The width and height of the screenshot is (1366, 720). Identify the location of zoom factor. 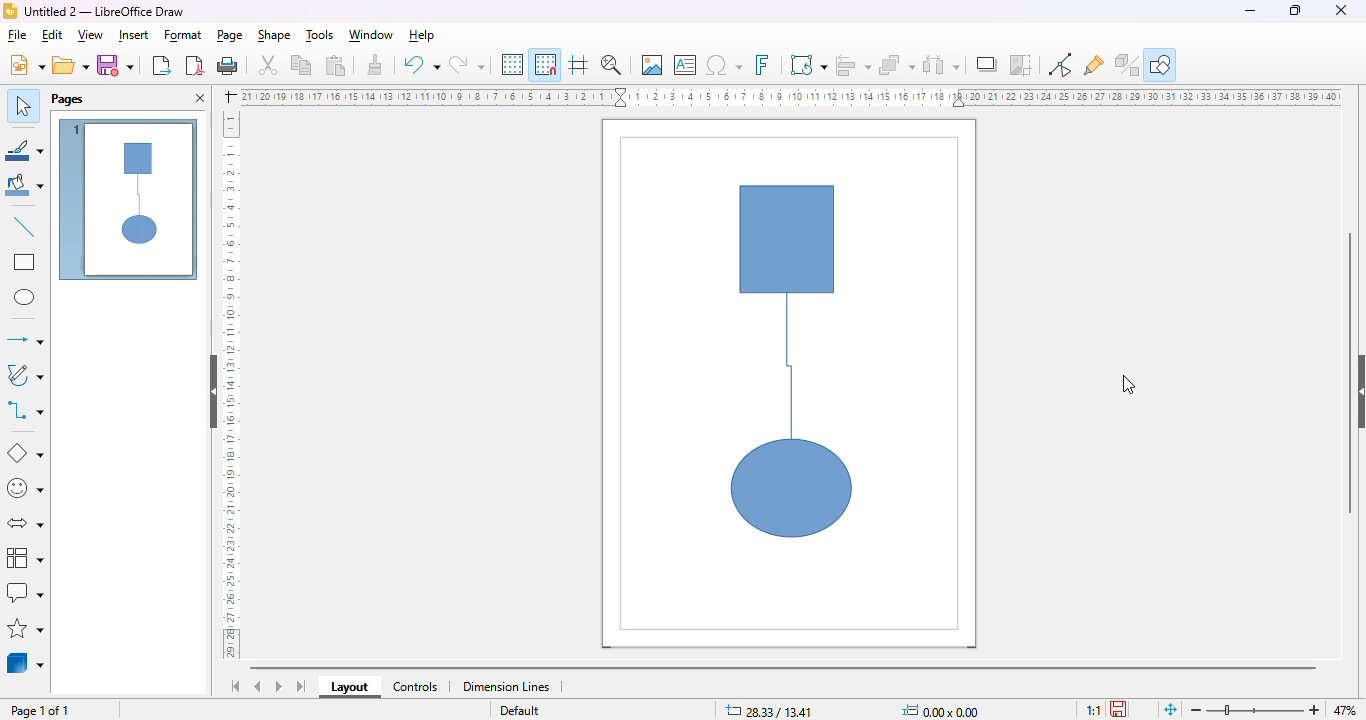
(1346, 709).